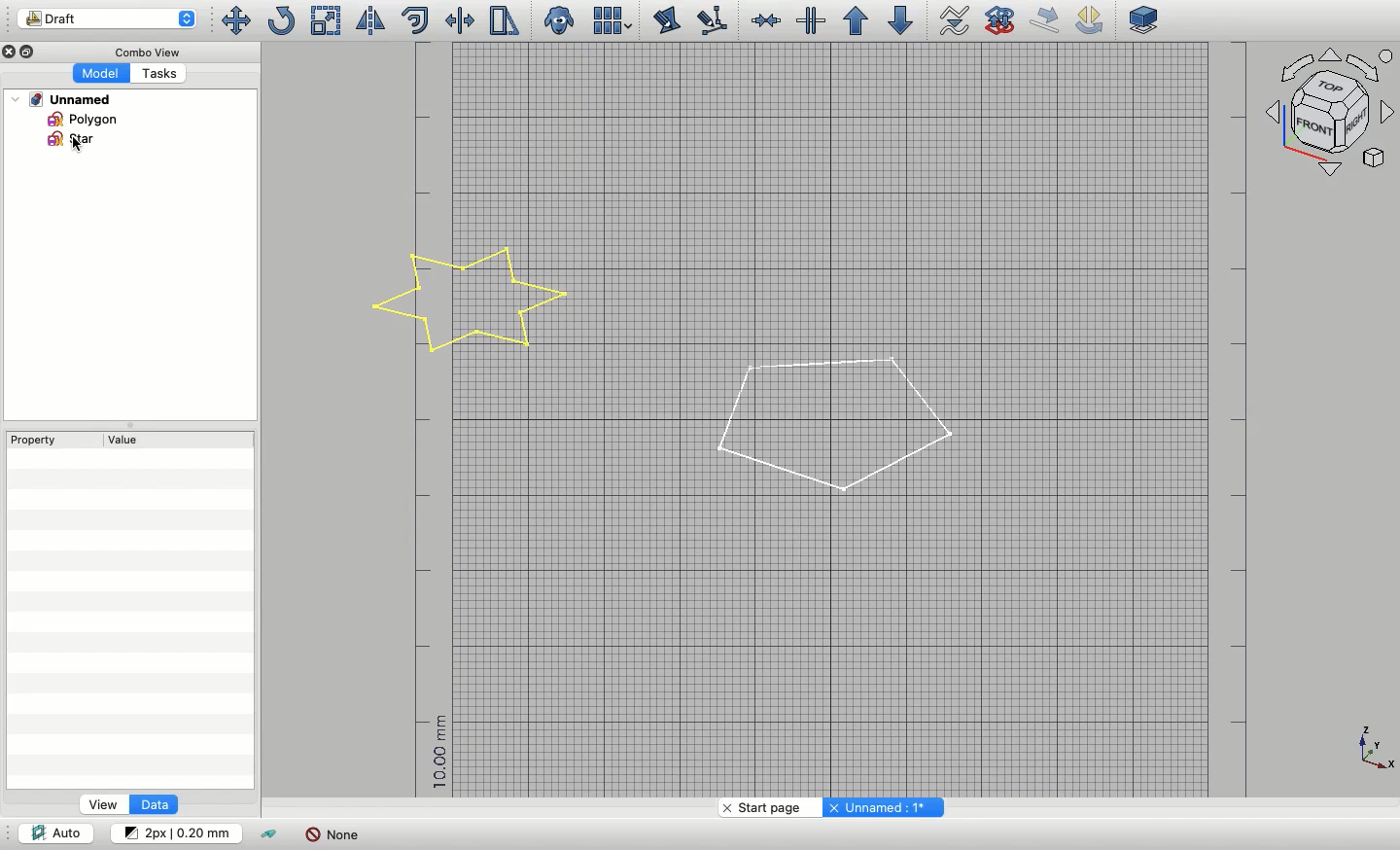 This screenshot has height=850, width=1400. I want to click on Scale, so click(327, 20).